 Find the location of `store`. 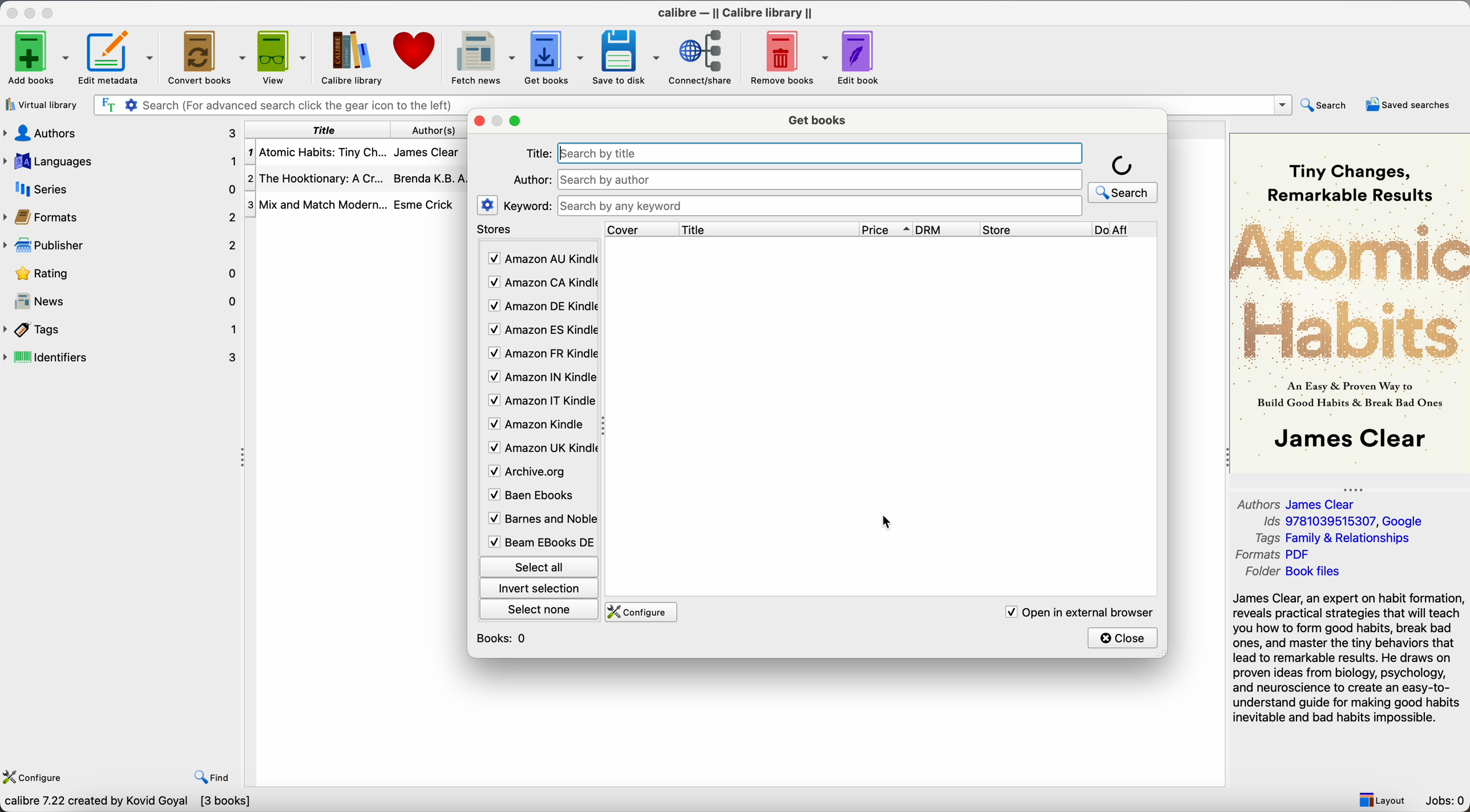

store is located at coordinates (1035, 229).